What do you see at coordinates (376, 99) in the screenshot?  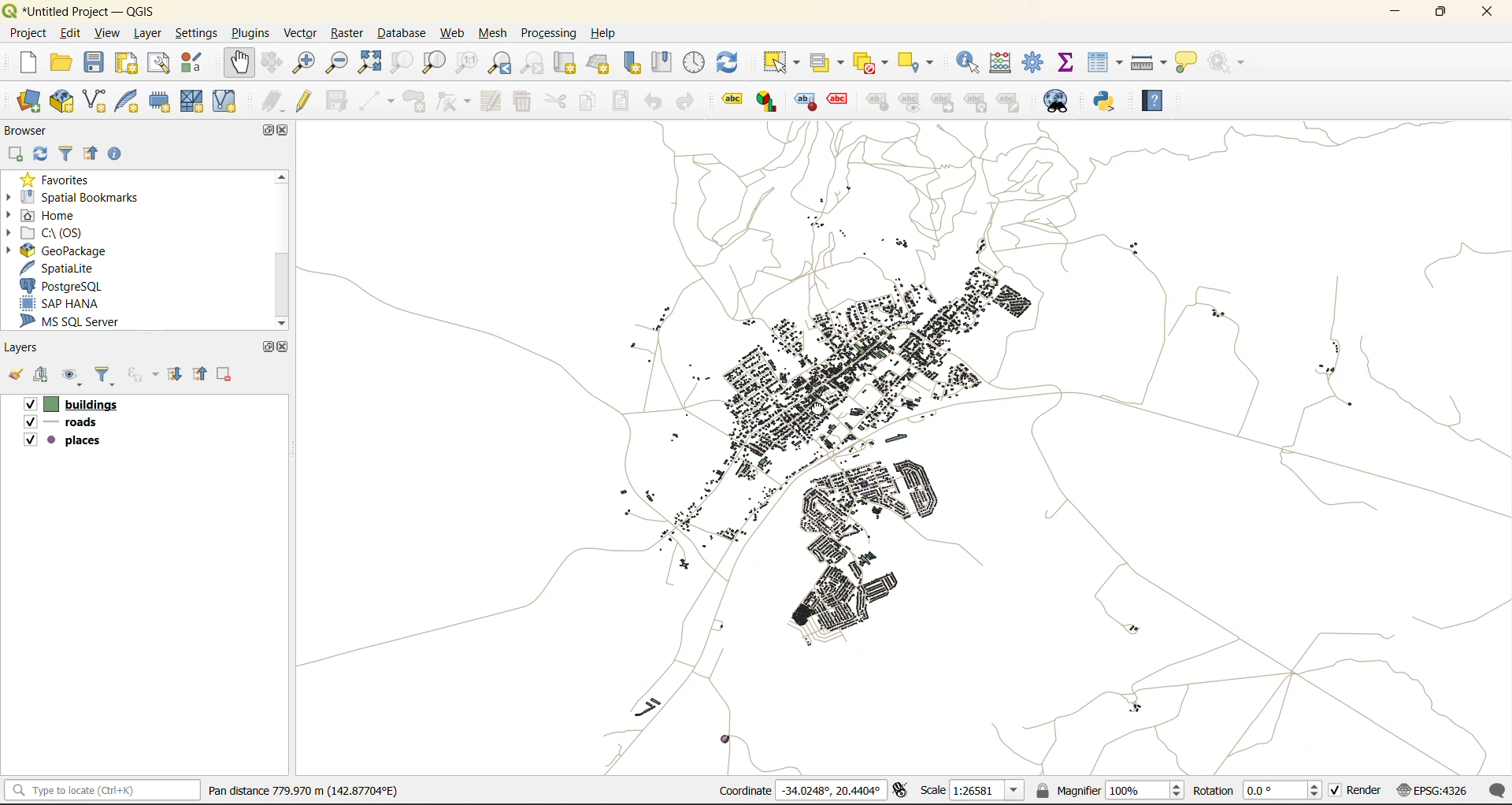 I see `digitize` at bounding box center [376, 99].